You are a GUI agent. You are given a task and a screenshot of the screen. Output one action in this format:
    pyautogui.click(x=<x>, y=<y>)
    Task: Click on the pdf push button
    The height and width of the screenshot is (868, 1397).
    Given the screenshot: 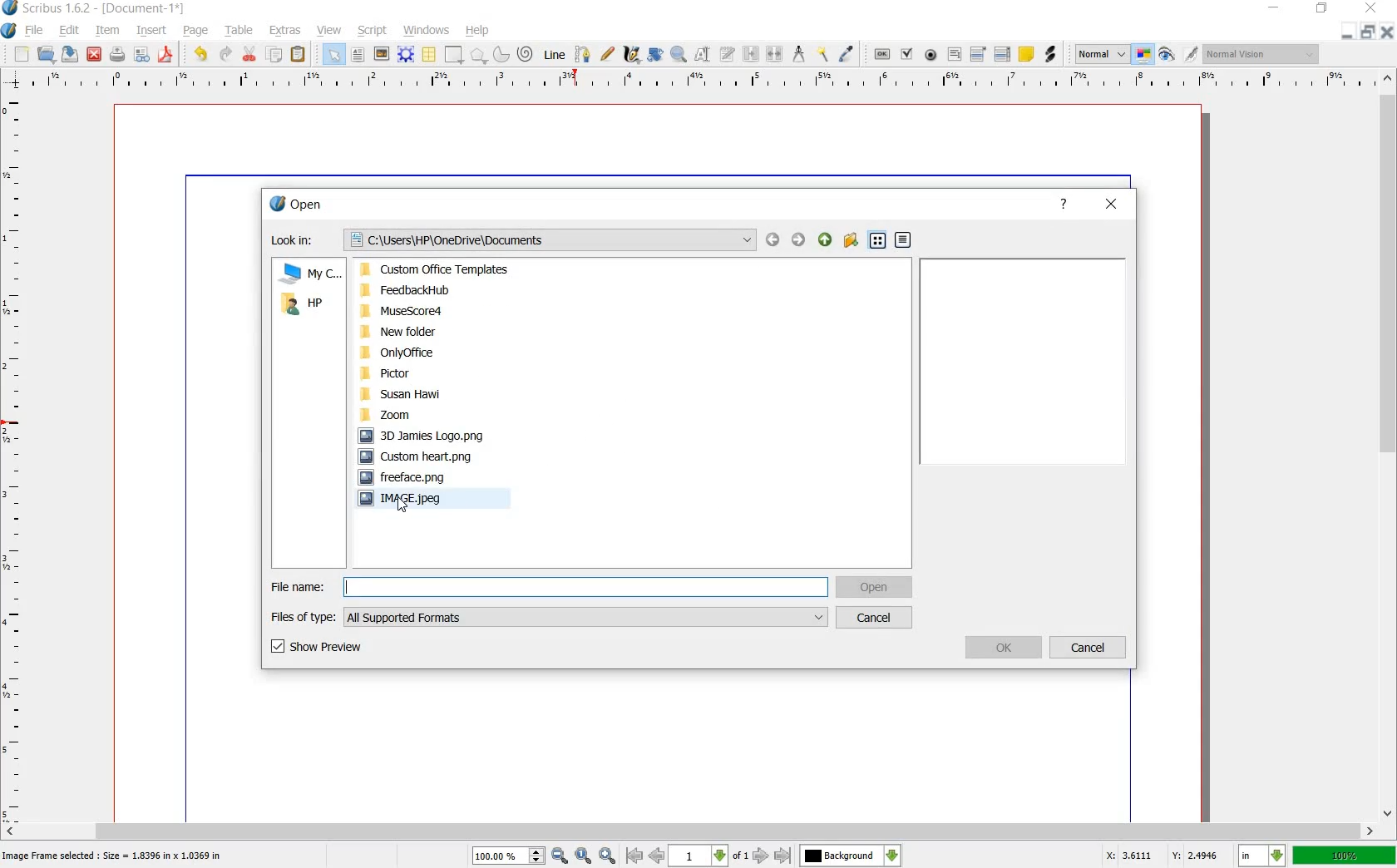 What is the action you would take?
    pyautogui.click(x=877, y=54)
    